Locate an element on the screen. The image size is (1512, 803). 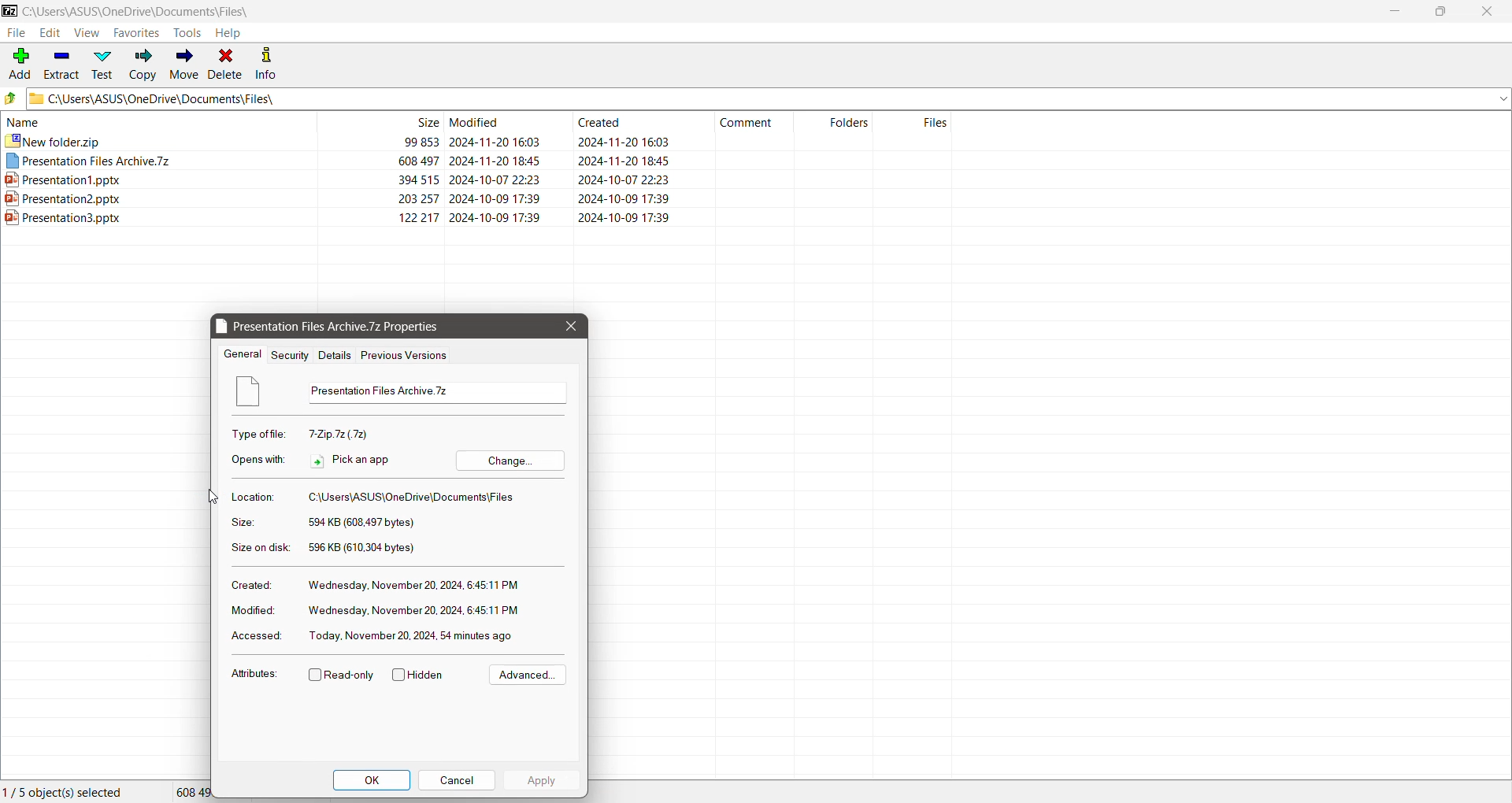
created is located at coordinates (635, 123).